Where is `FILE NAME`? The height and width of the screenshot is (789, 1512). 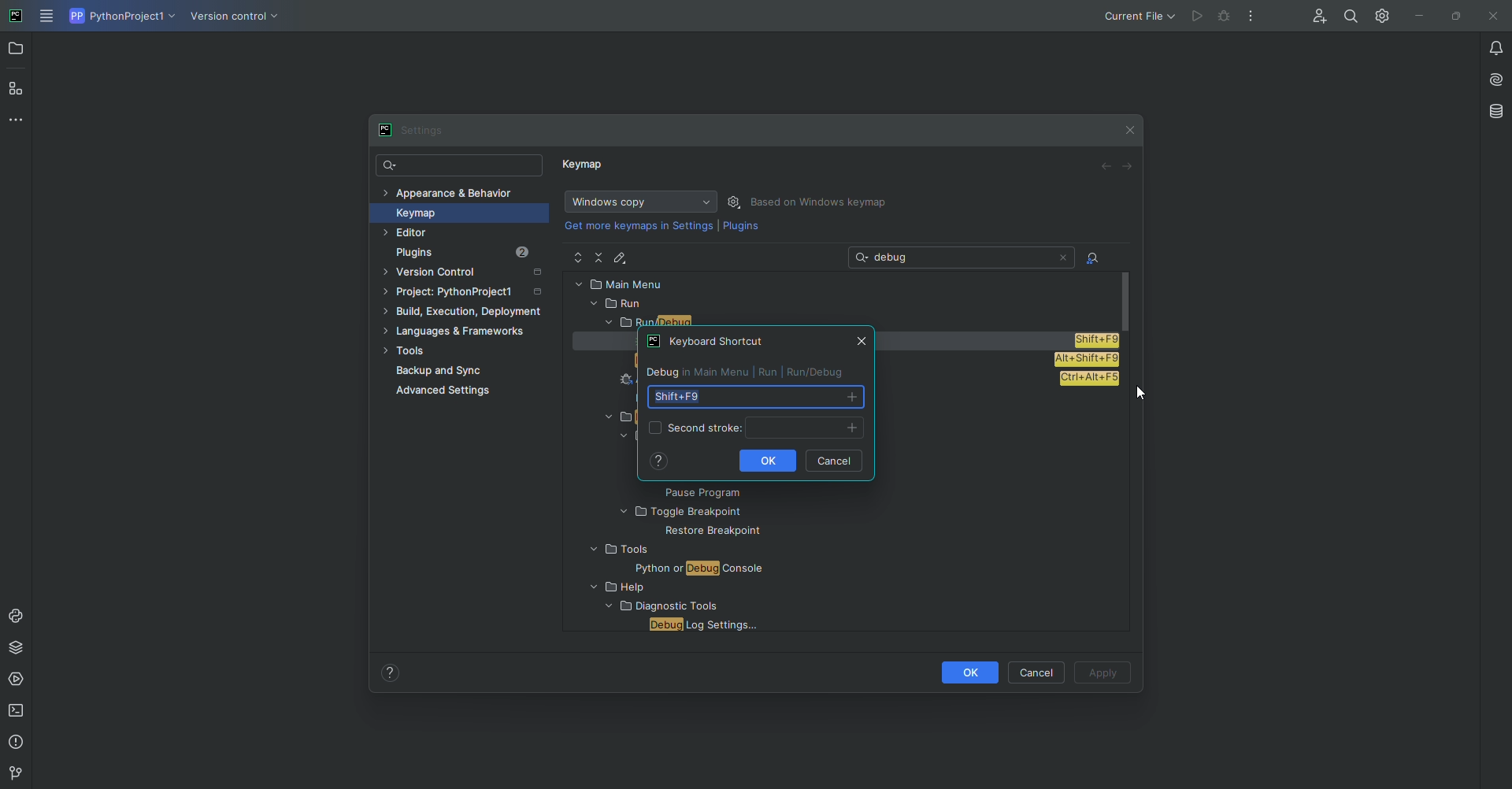 FILE NAME is located at coordinates (672, 569).